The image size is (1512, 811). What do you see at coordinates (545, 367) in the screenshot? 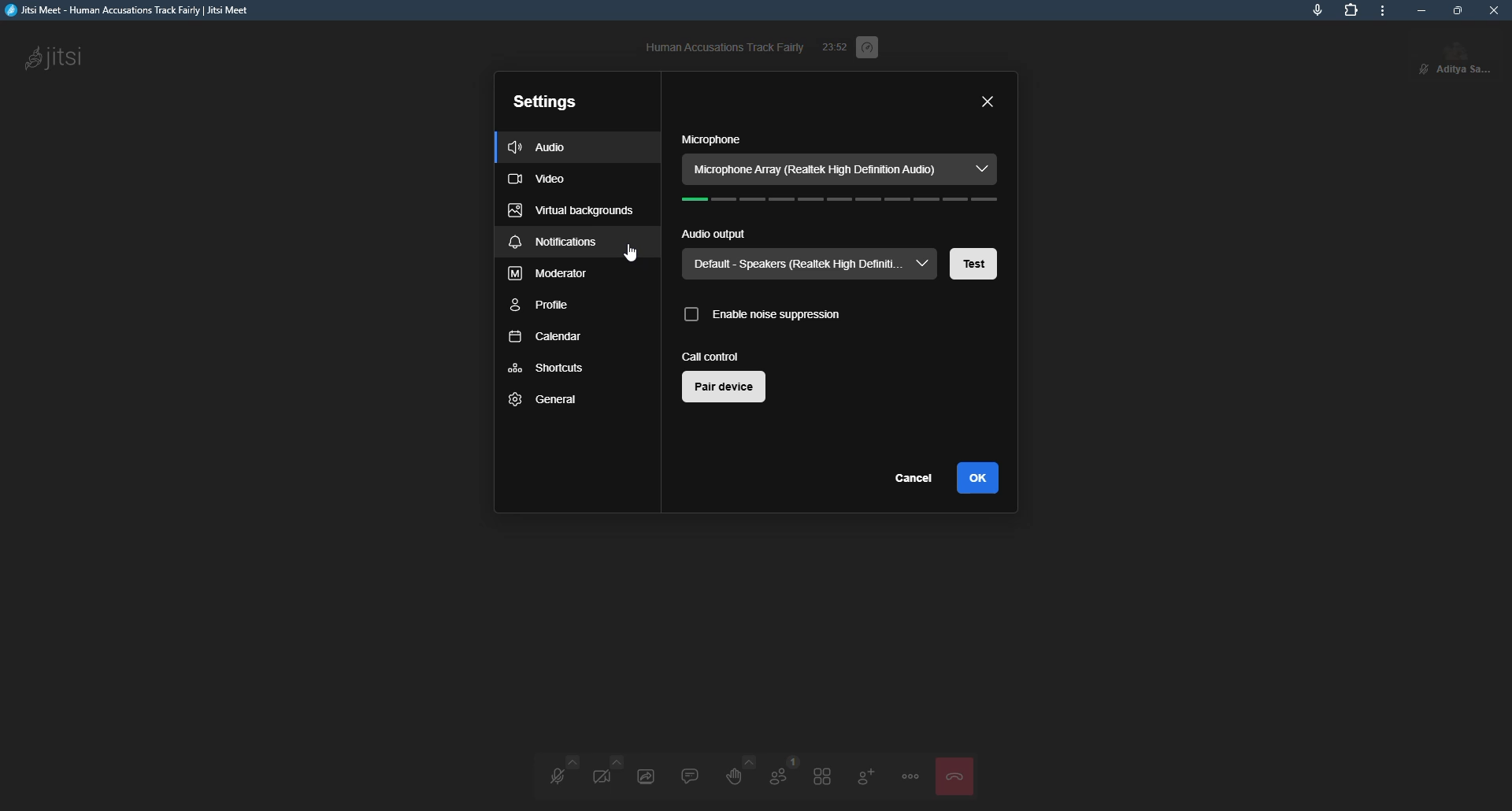
I see `shortcuts` at bounding box center [545, 367].